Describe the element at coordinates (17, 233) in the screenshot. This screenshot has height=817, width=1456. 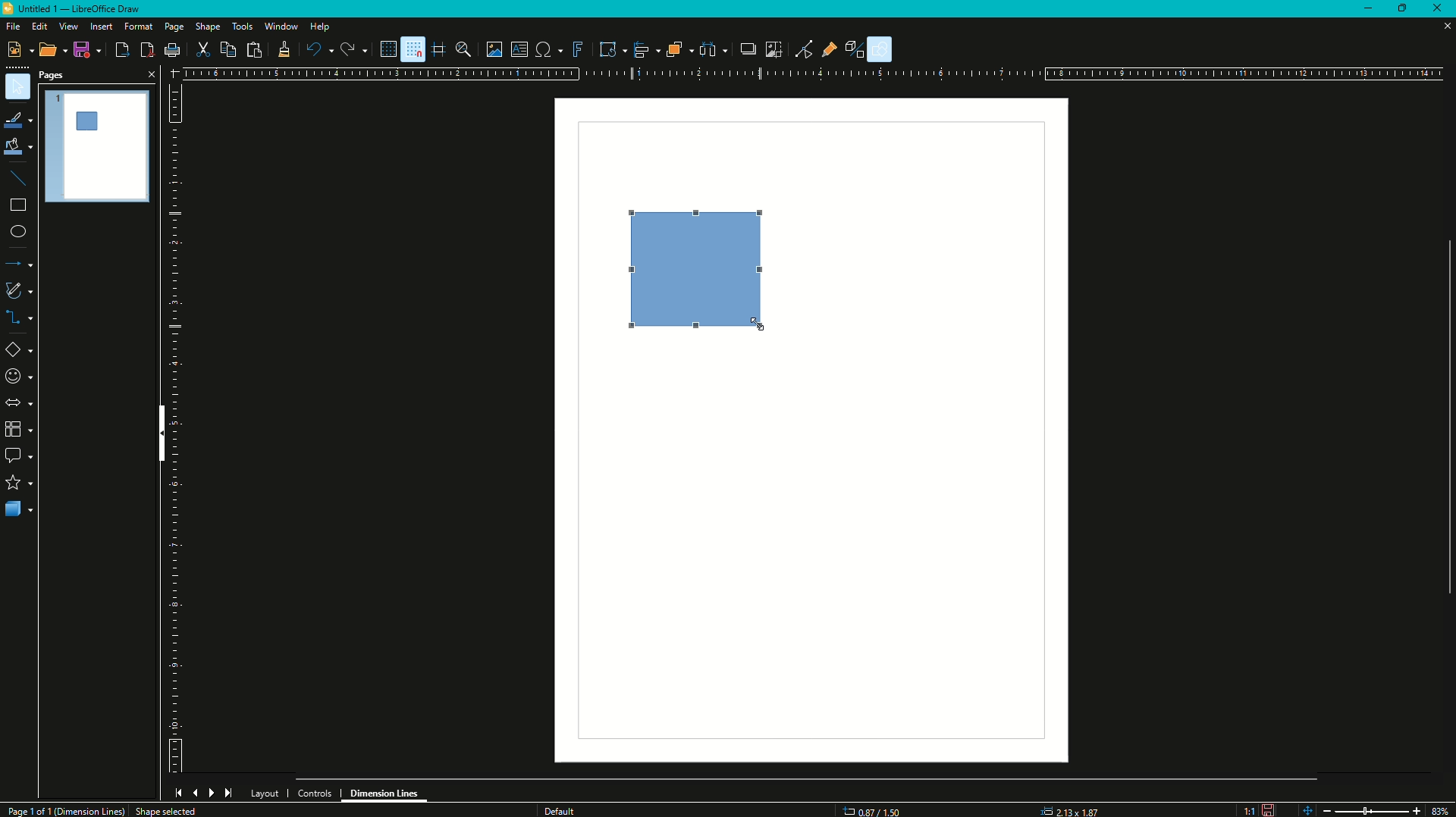
I see `Ellipses` at that location.